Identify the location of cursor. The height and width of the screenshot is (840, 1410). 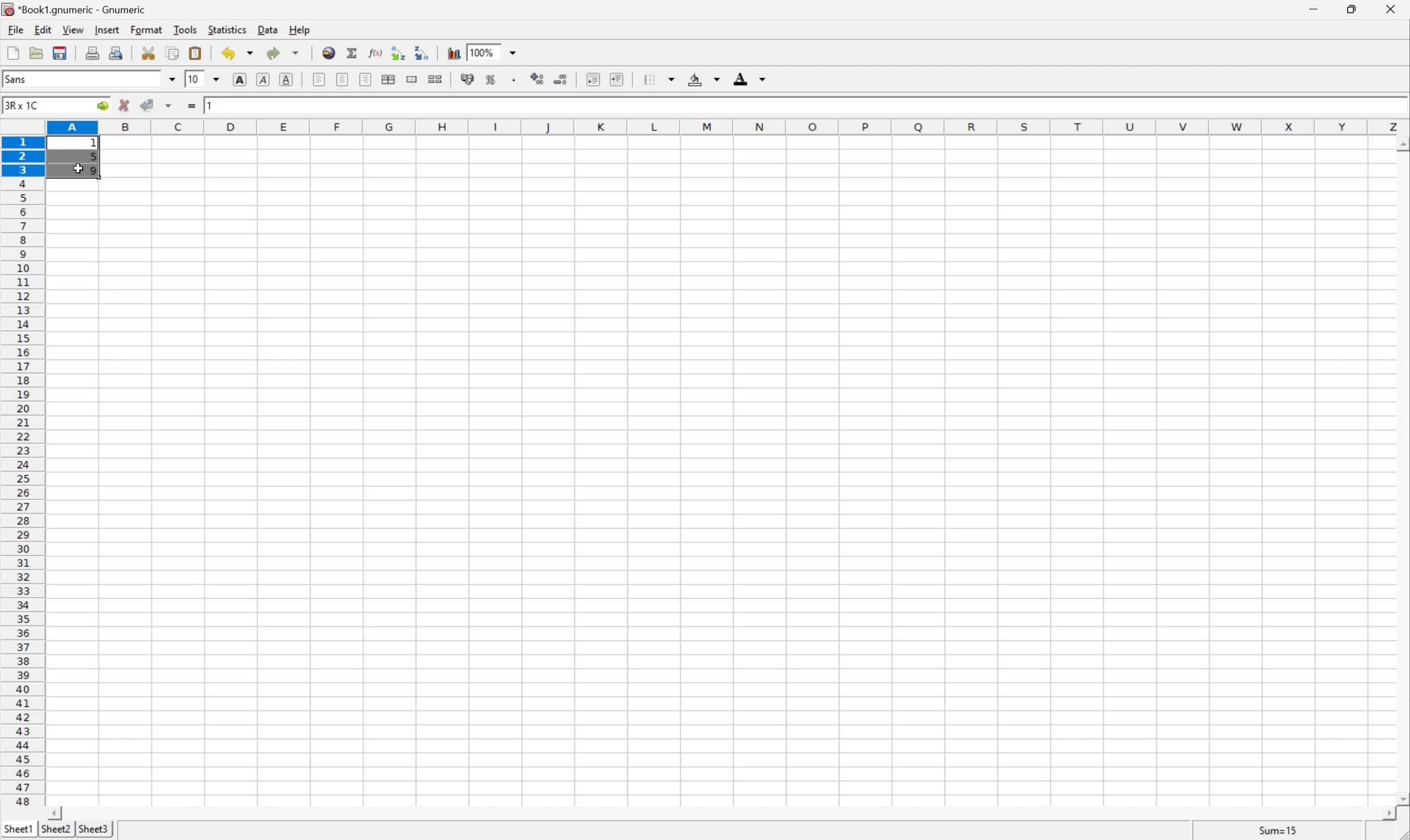
(77, 170).